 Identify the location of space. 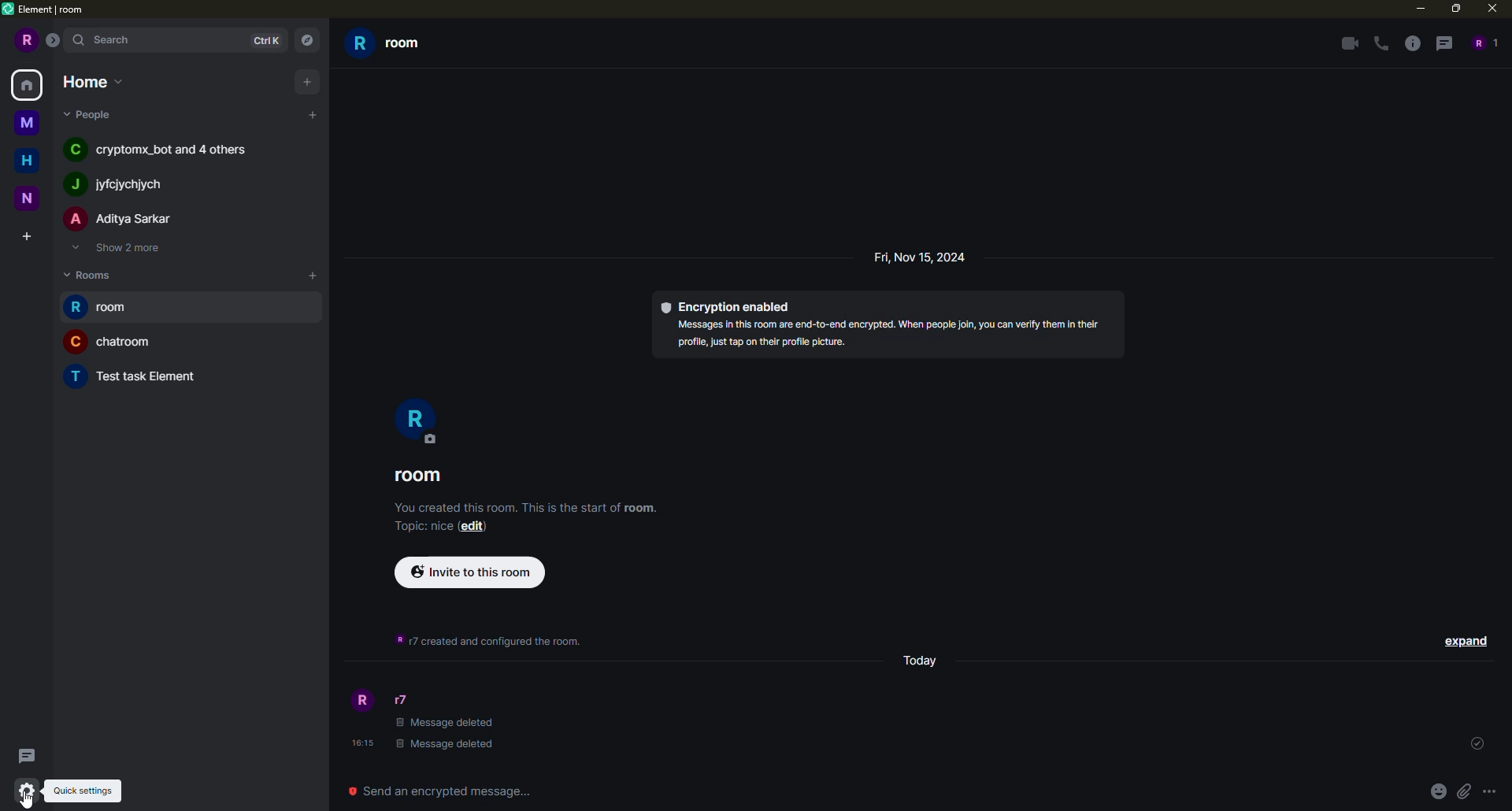
(28, 124).